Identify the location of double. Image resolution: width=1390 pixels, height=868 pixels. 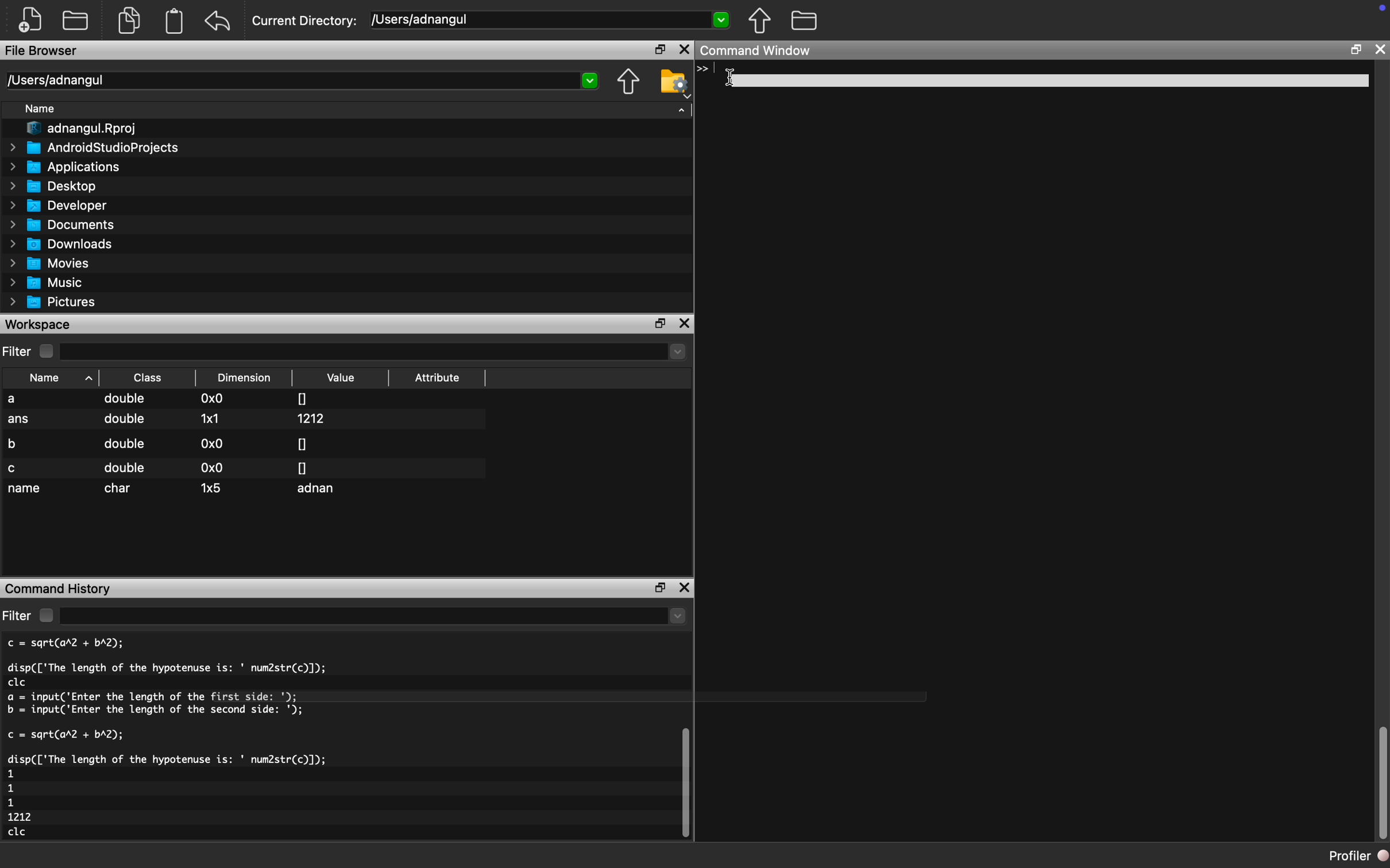
(125, 468).